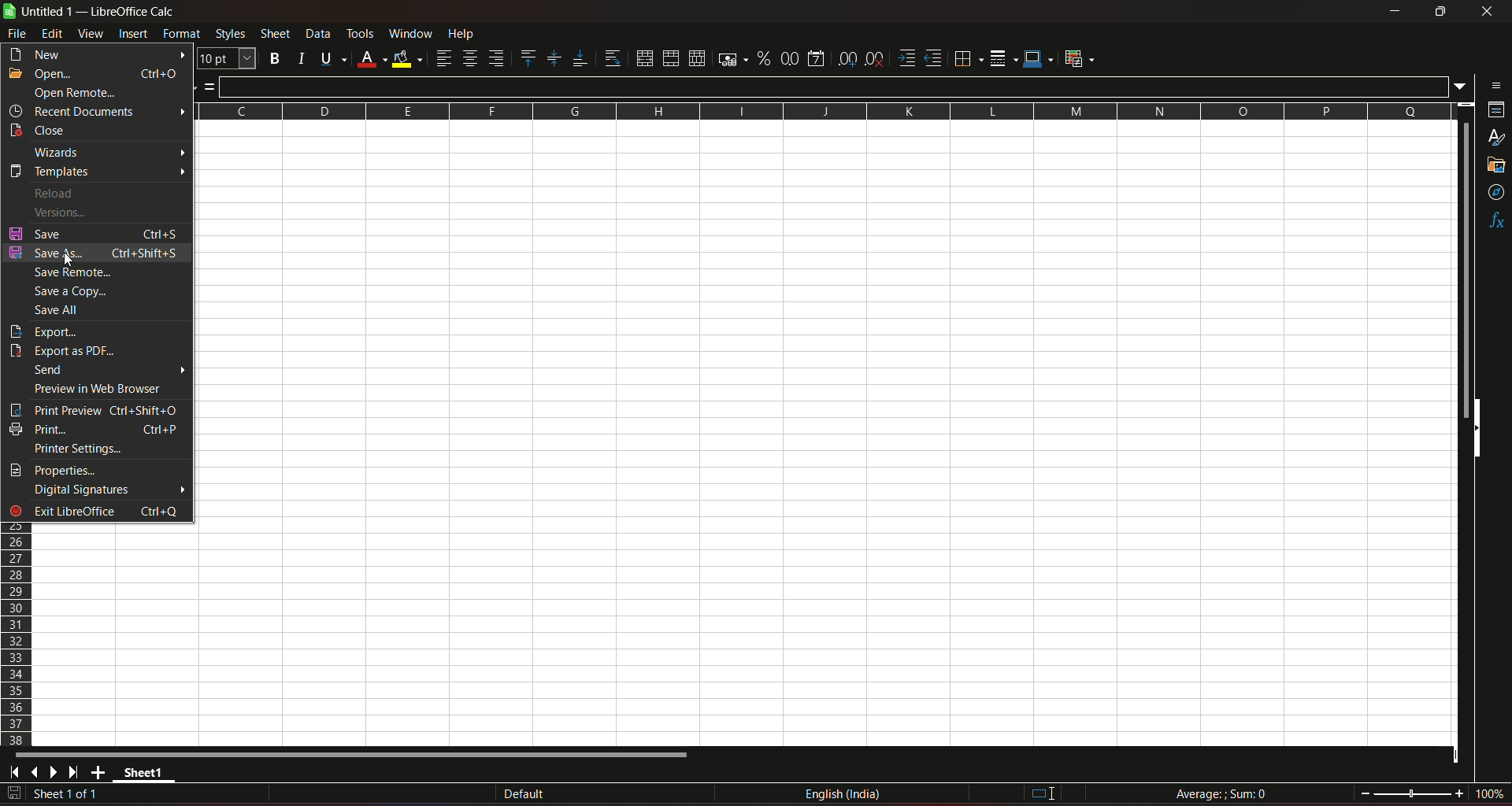 The width and height of the screenshot is (1512, 806). Describe the element at coordinates (1440, 12) in the screenshot. I see `maximize` at that location.